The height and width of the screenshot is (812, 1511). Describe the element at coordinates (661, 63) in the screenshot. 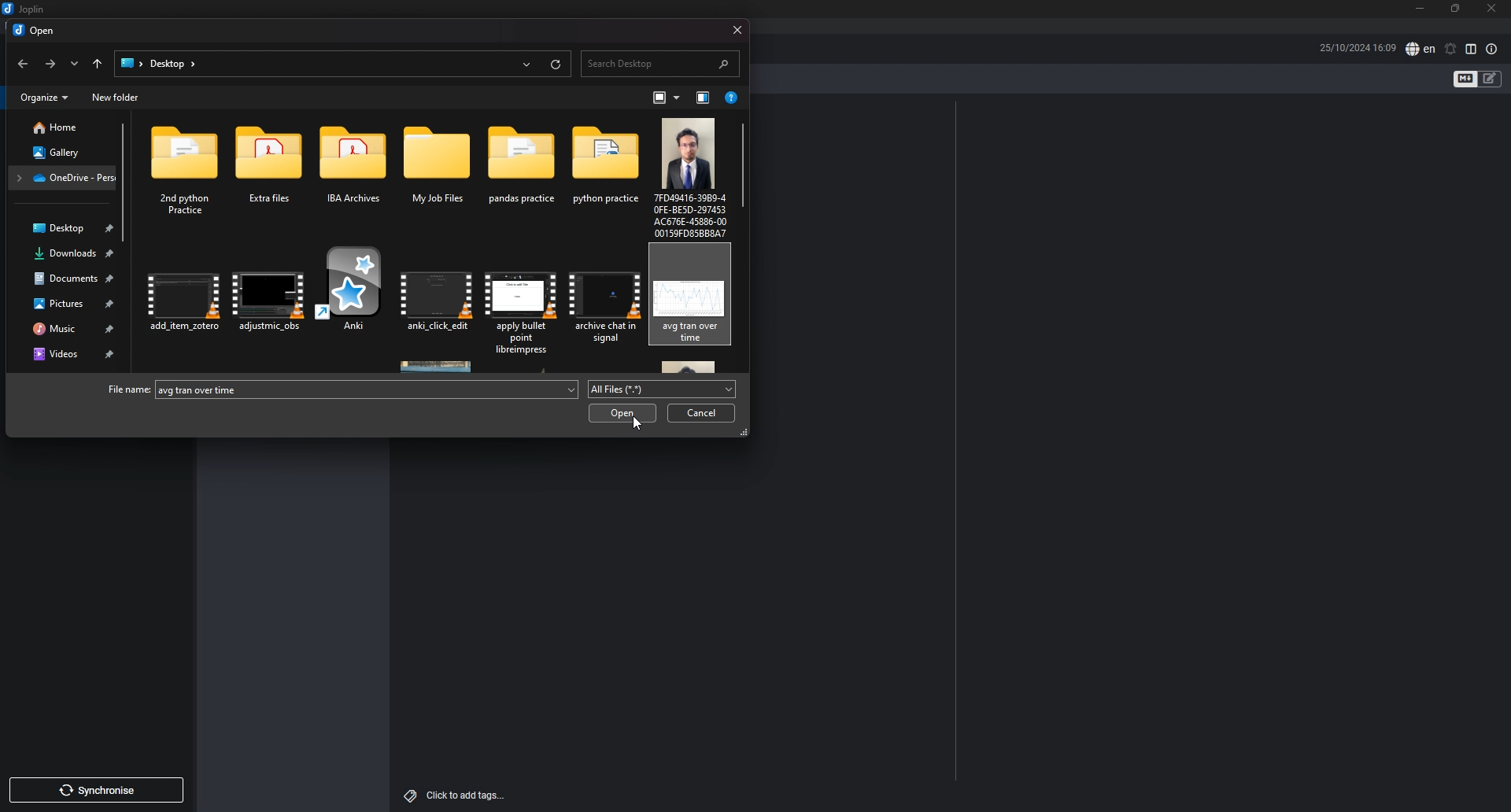

I see `search desktop` at that location.